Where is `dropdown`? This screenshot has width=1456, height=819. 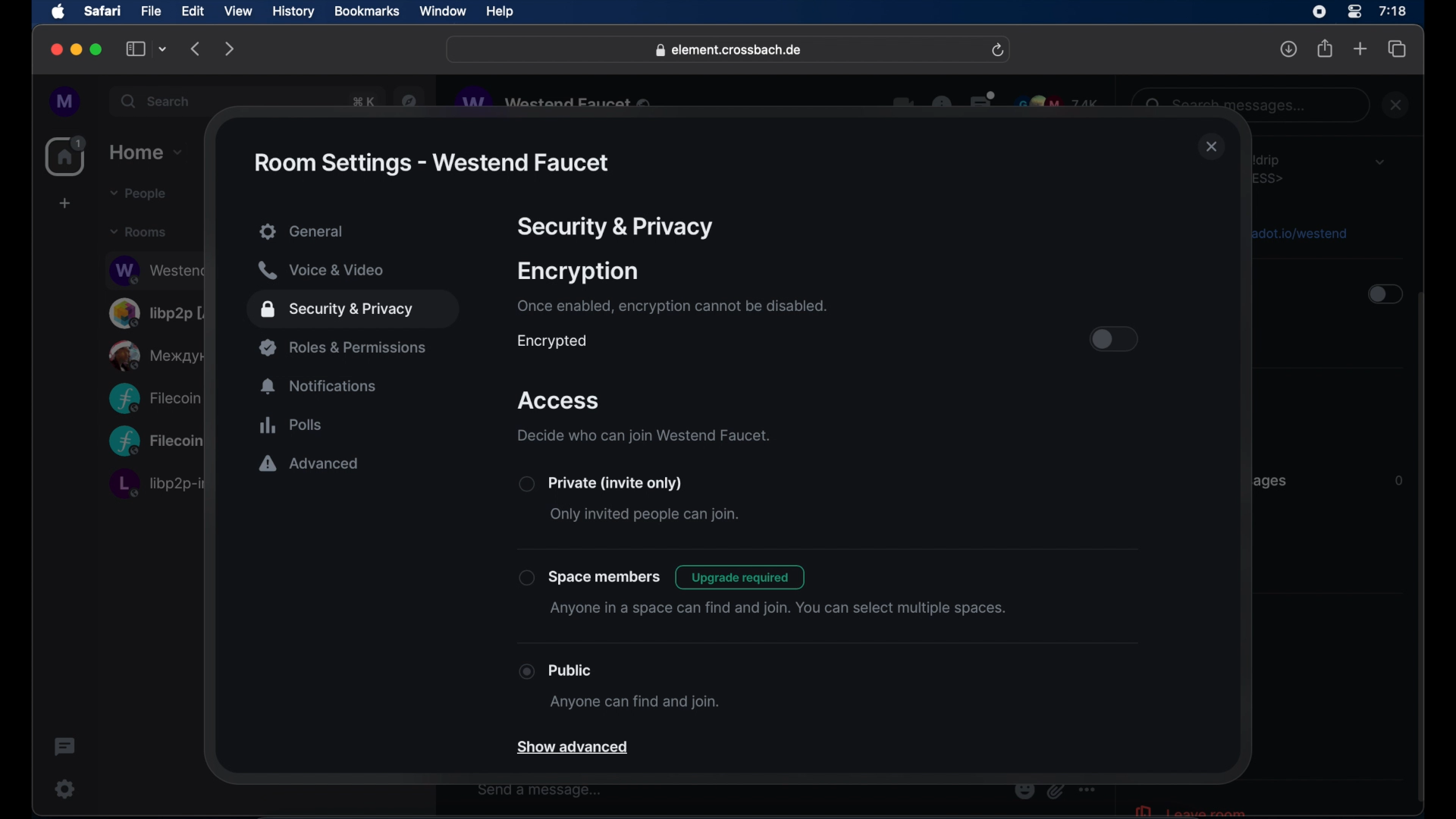
dropdown is located at coordinates (1379, 162).